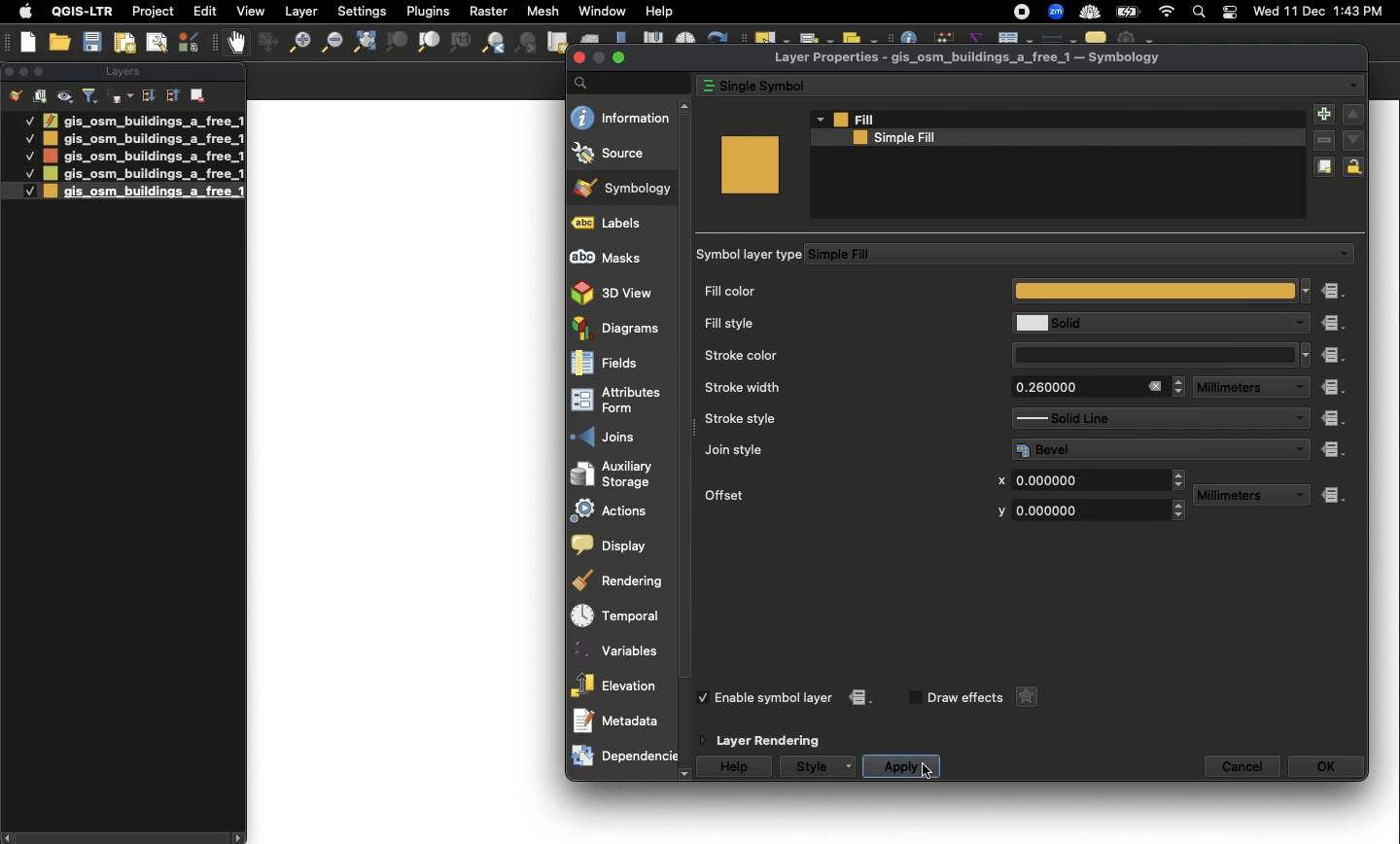  What do you see at coordinates (124, 43) in the screenshot?
I see `New printout layer ` at bounding box center [124, 43].